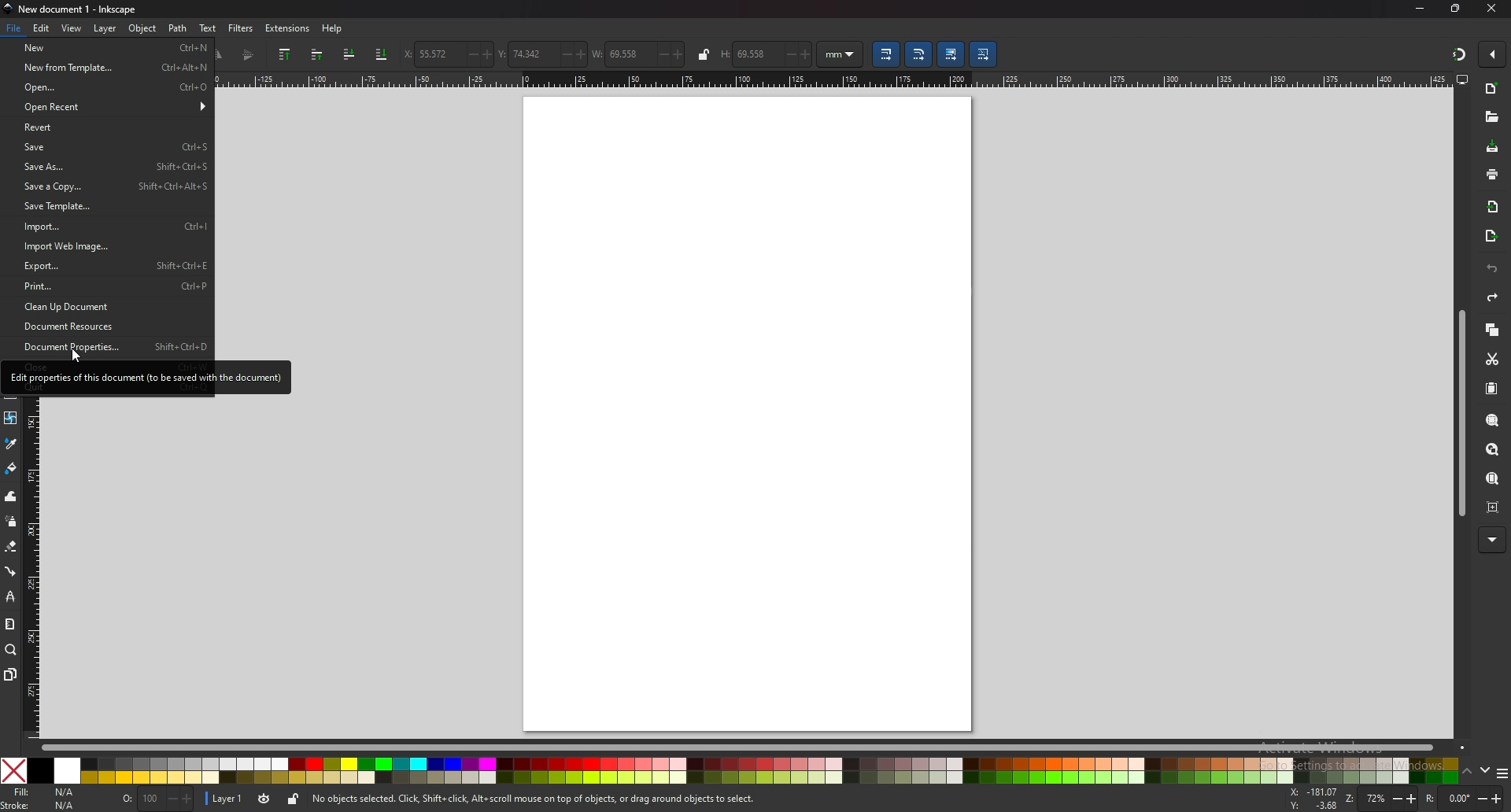  What do you see at coordinates (74, 28) in the screenshot?
I see `view` at bounding box center [74, 28].